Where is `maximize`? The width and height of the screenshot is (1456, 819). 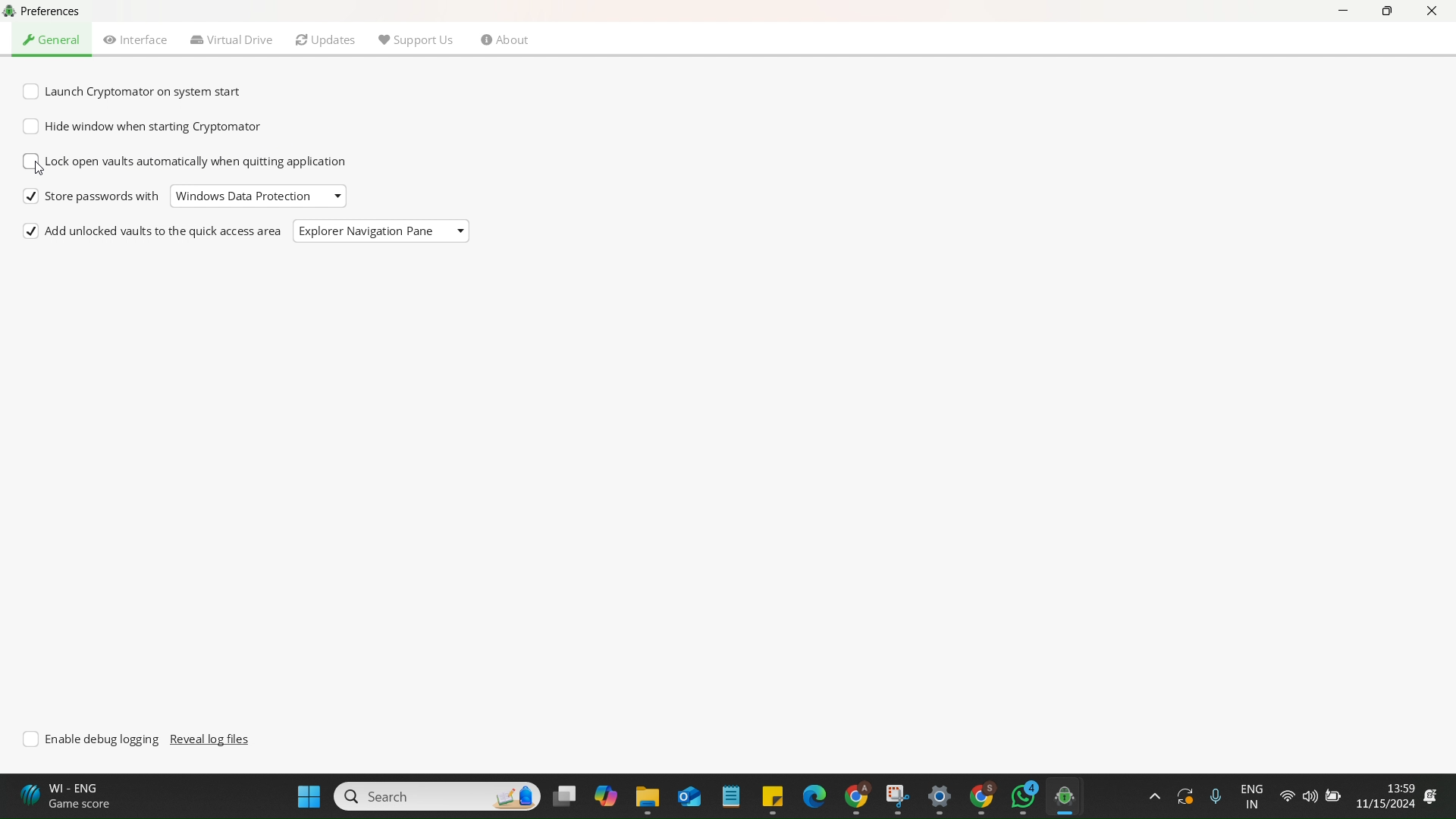 maximize is located at coordinates (1387, 13).